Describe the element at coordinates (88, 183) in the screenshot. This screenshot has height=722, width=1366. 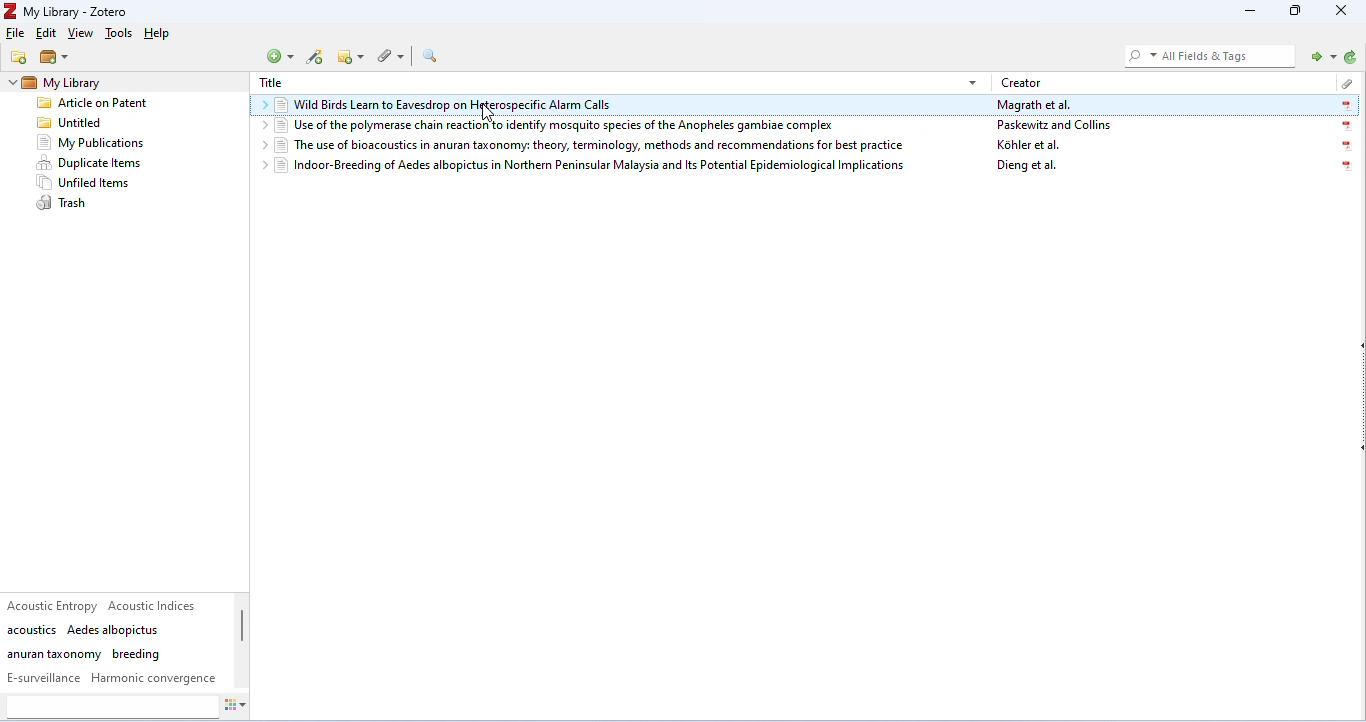
I see `unfiled items` at that location.